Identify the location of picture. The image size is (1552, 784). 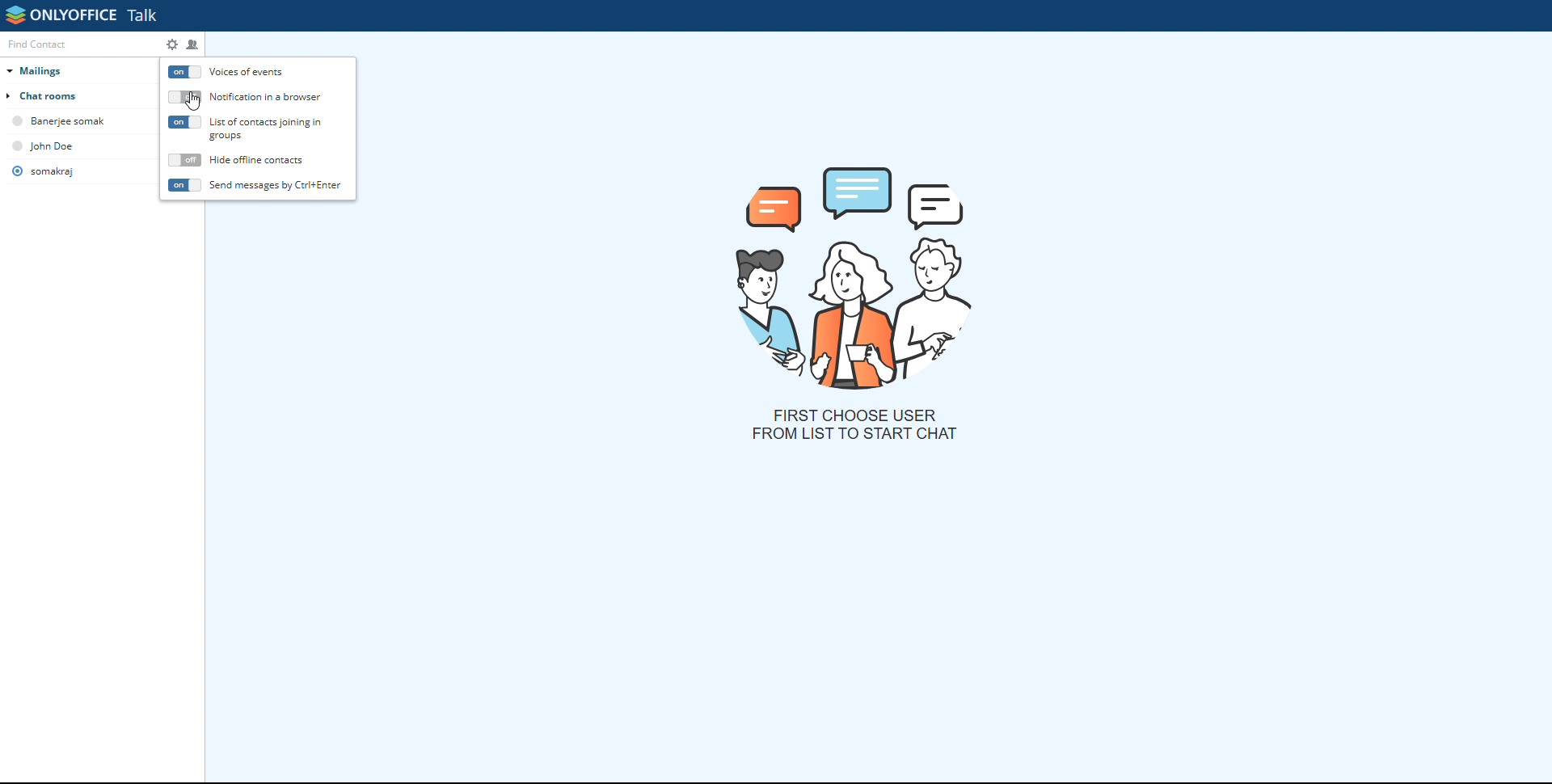
(858, 275).